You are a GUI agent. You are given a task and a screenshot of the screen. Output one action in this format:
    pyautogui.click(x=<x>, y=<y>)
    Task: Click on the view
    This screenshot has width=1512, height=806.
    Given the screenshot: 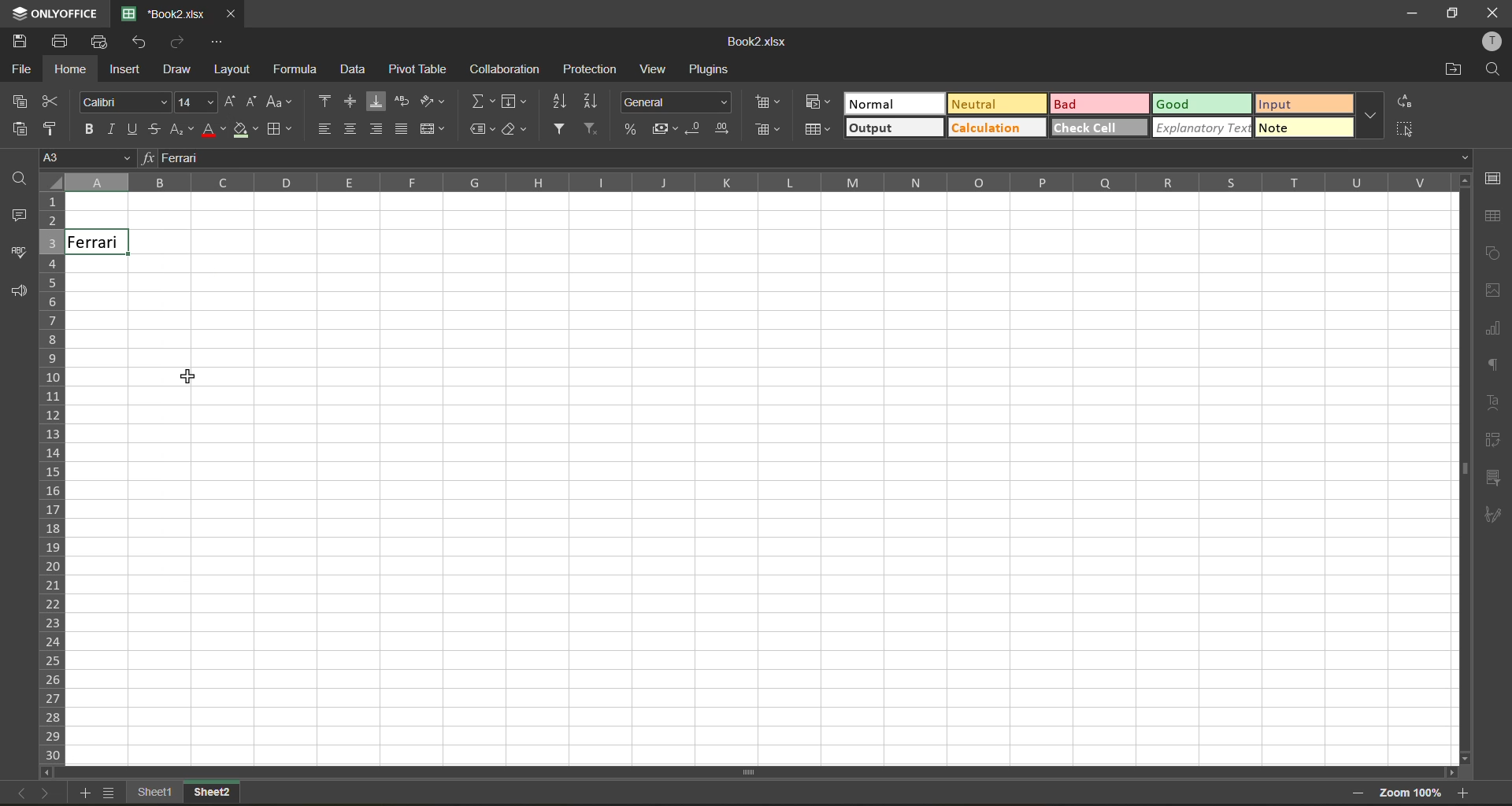 What is the action you would take?
    pyautogui.click(x=656, y=70)
    